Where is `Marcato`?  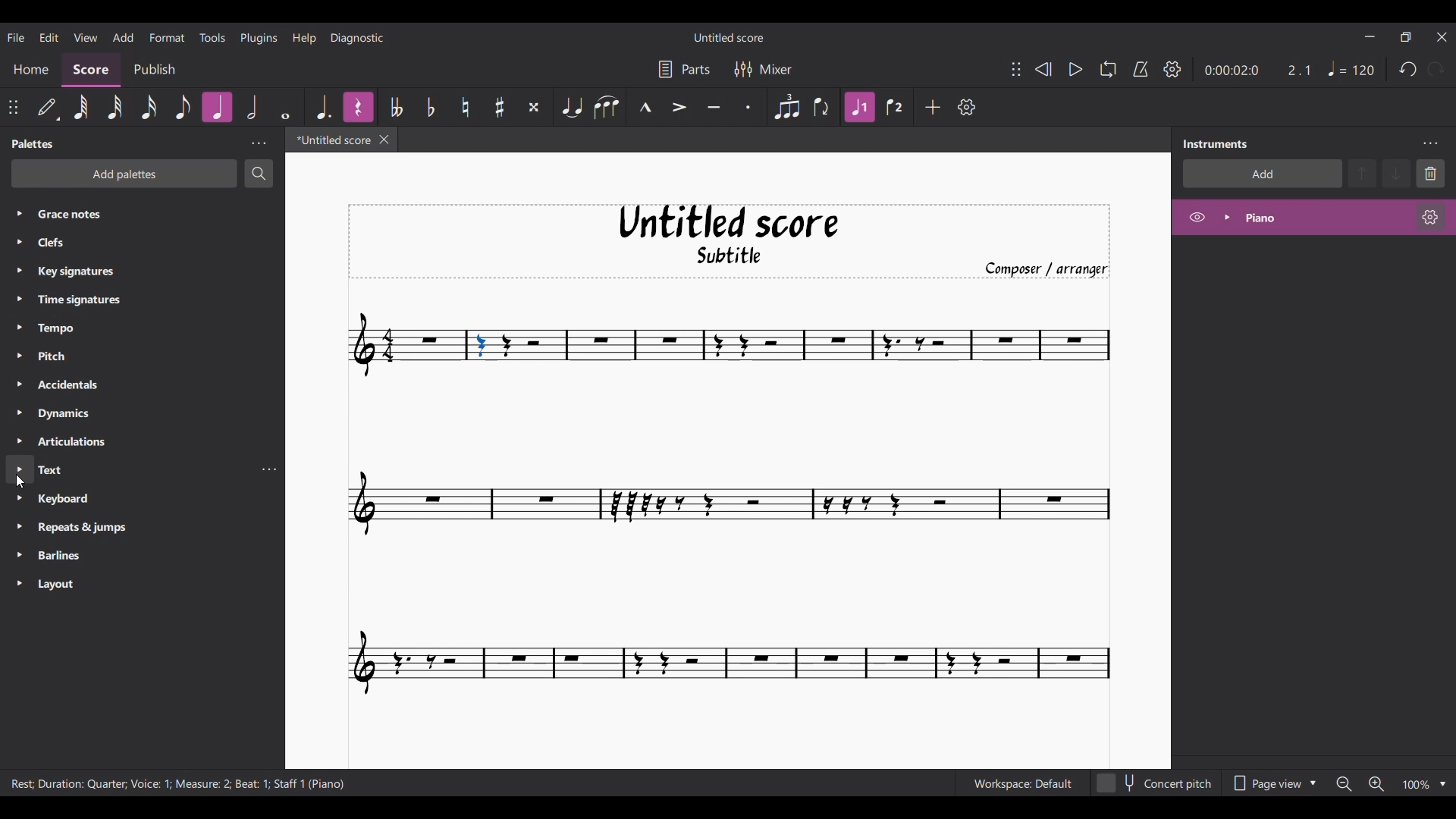 Marcato is located at coordinates (645, 106).